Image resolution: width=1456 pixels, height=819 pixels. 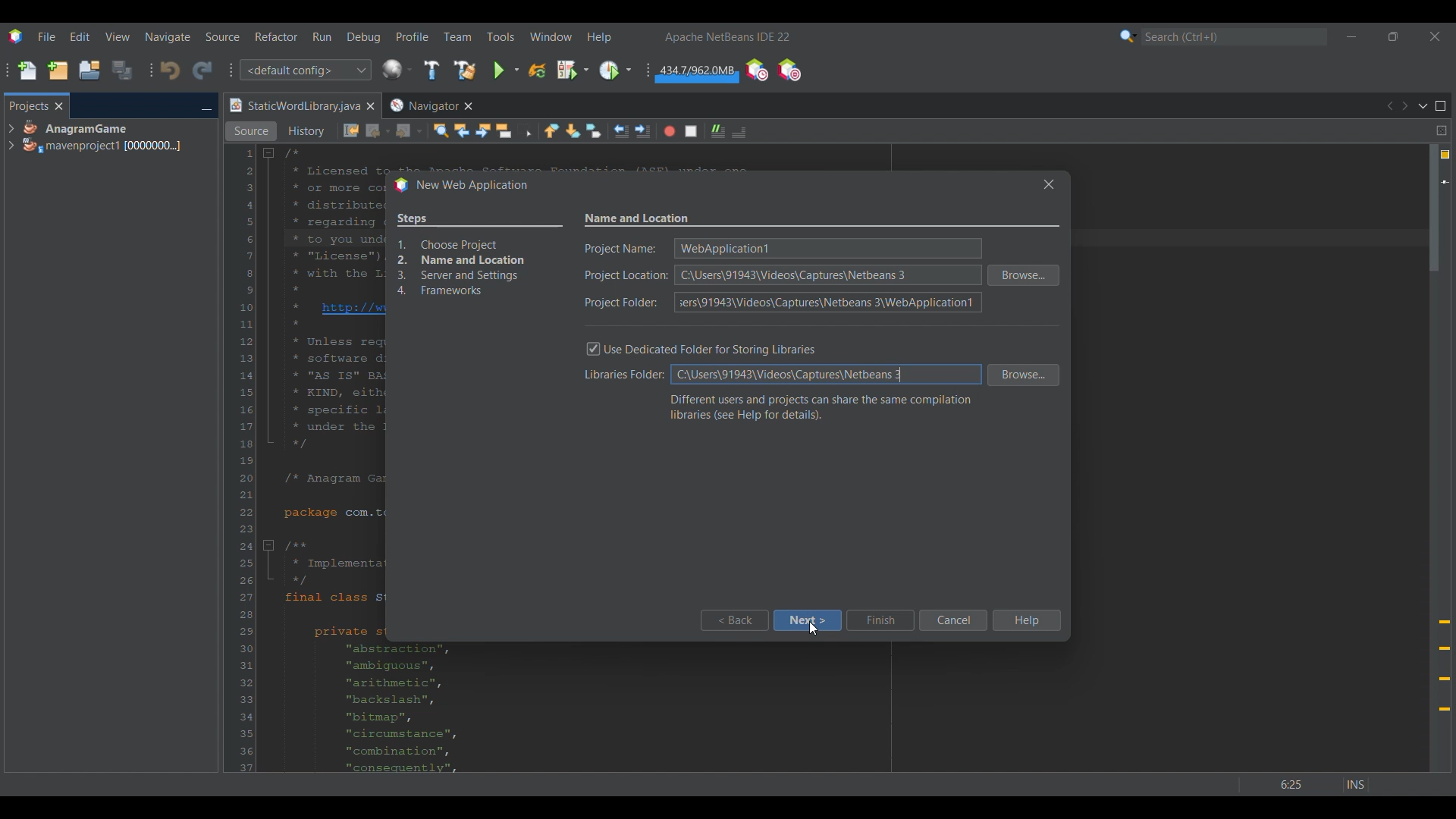 What do you see at coordinates (880, 620) in the screenshot?
I see `Finish` at bounding box center [880, 620].